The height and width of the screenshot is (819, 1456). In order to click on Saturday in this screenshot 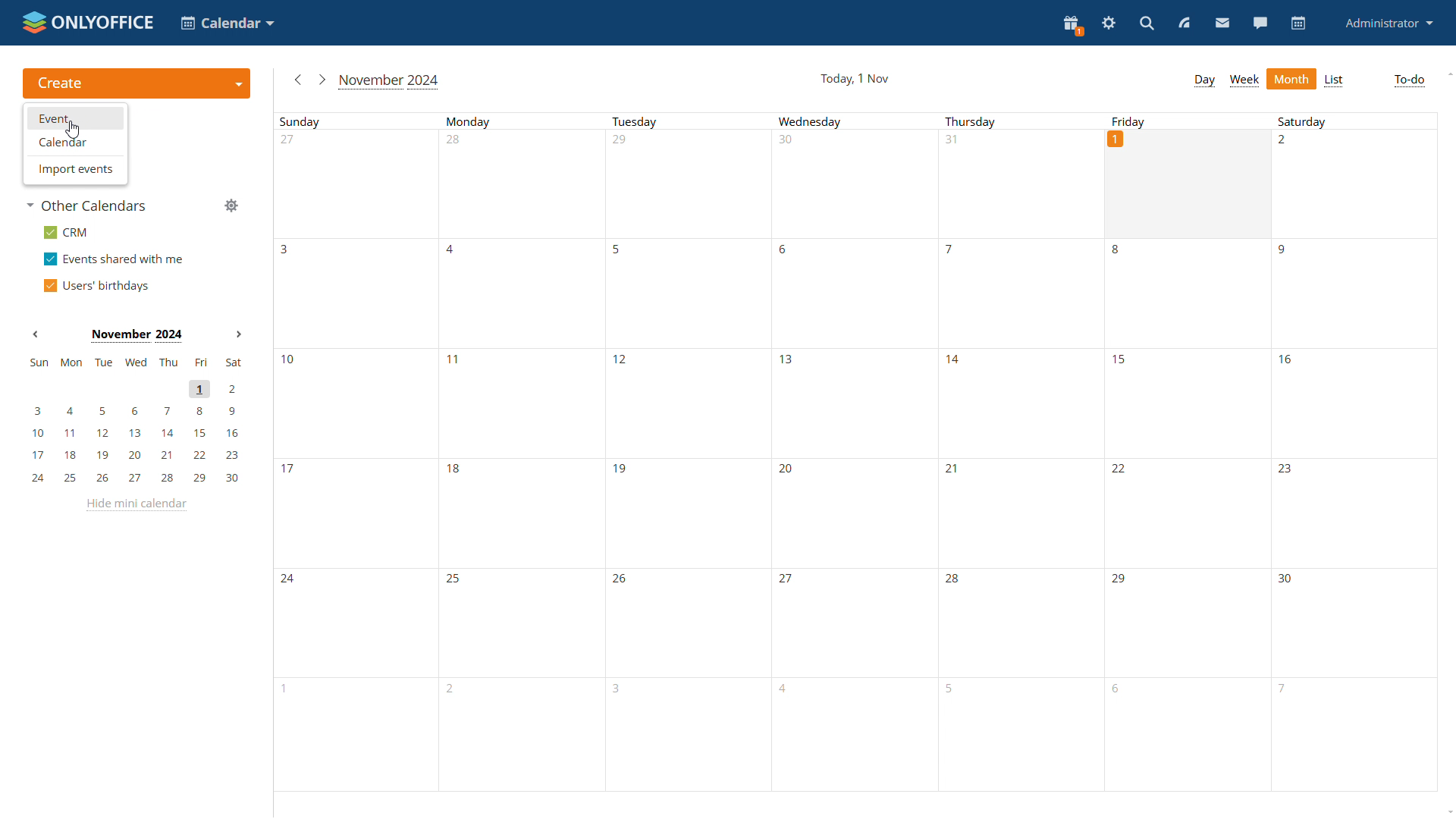, I will do `click(1351, 452)`.